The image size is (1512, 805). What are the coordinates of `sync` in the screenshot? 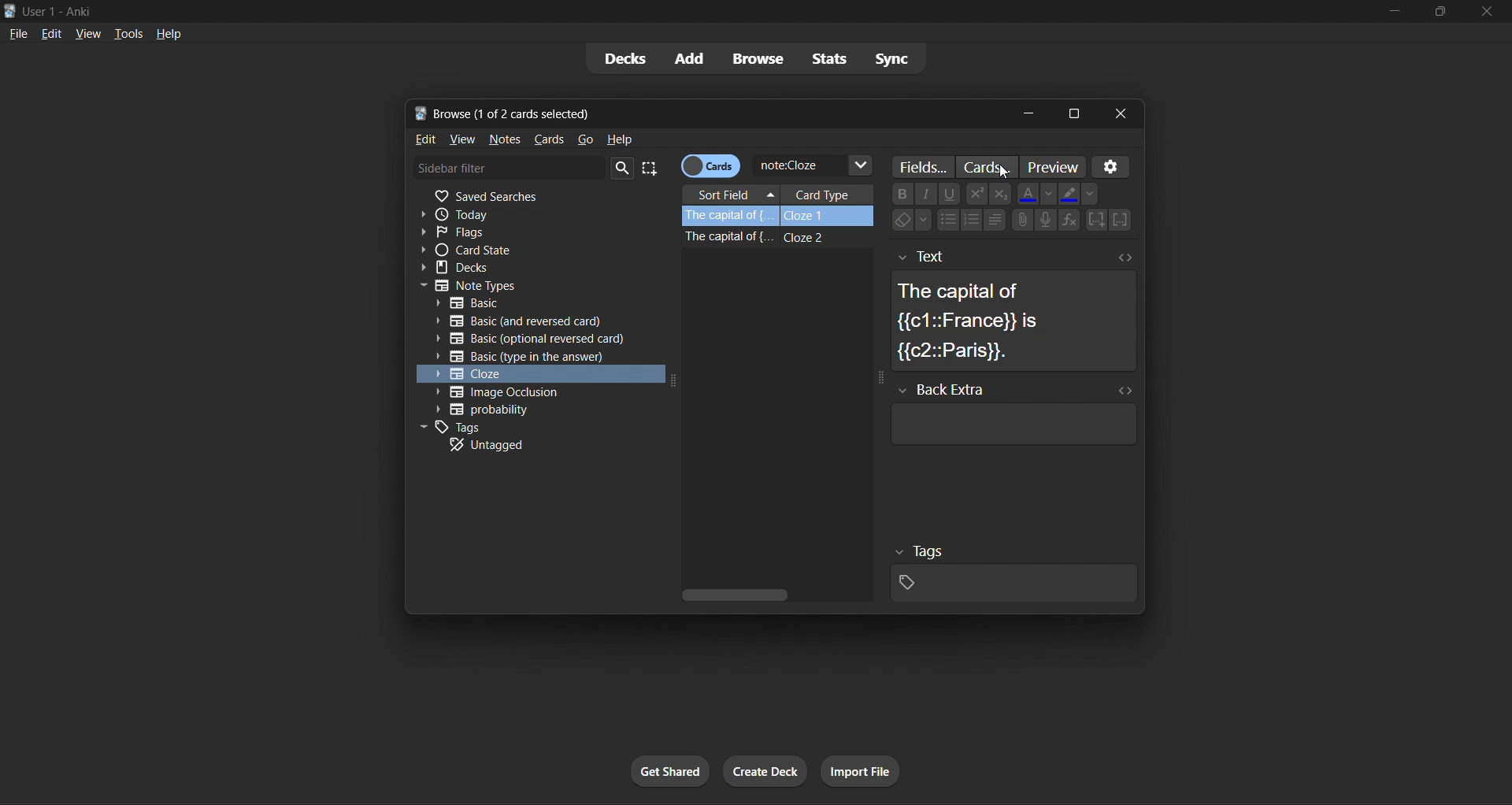 It's located at (903, 57).